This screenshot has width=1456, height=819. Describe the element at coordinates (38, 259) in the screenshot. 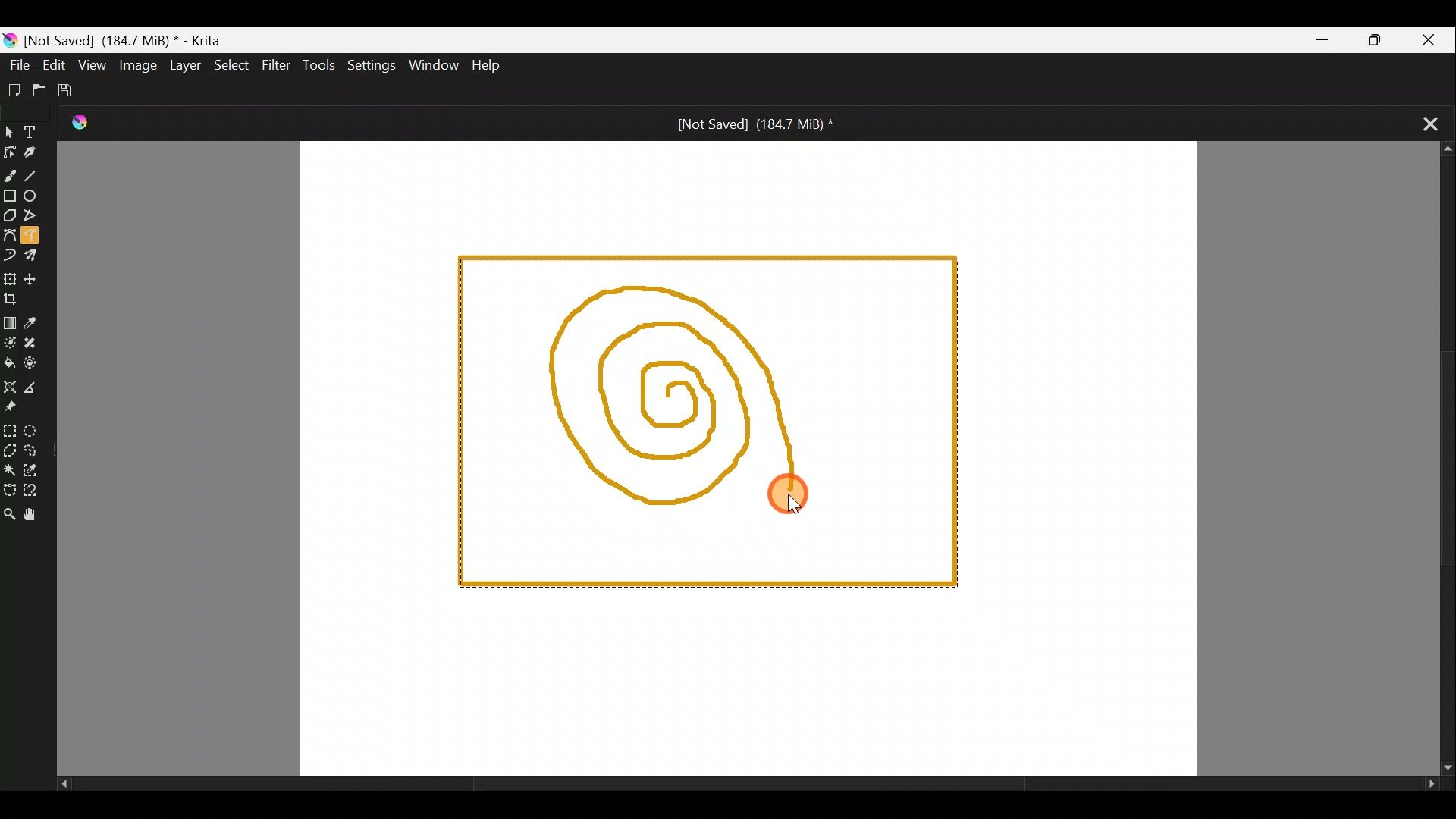

I see `Multibrush tool` at that location.